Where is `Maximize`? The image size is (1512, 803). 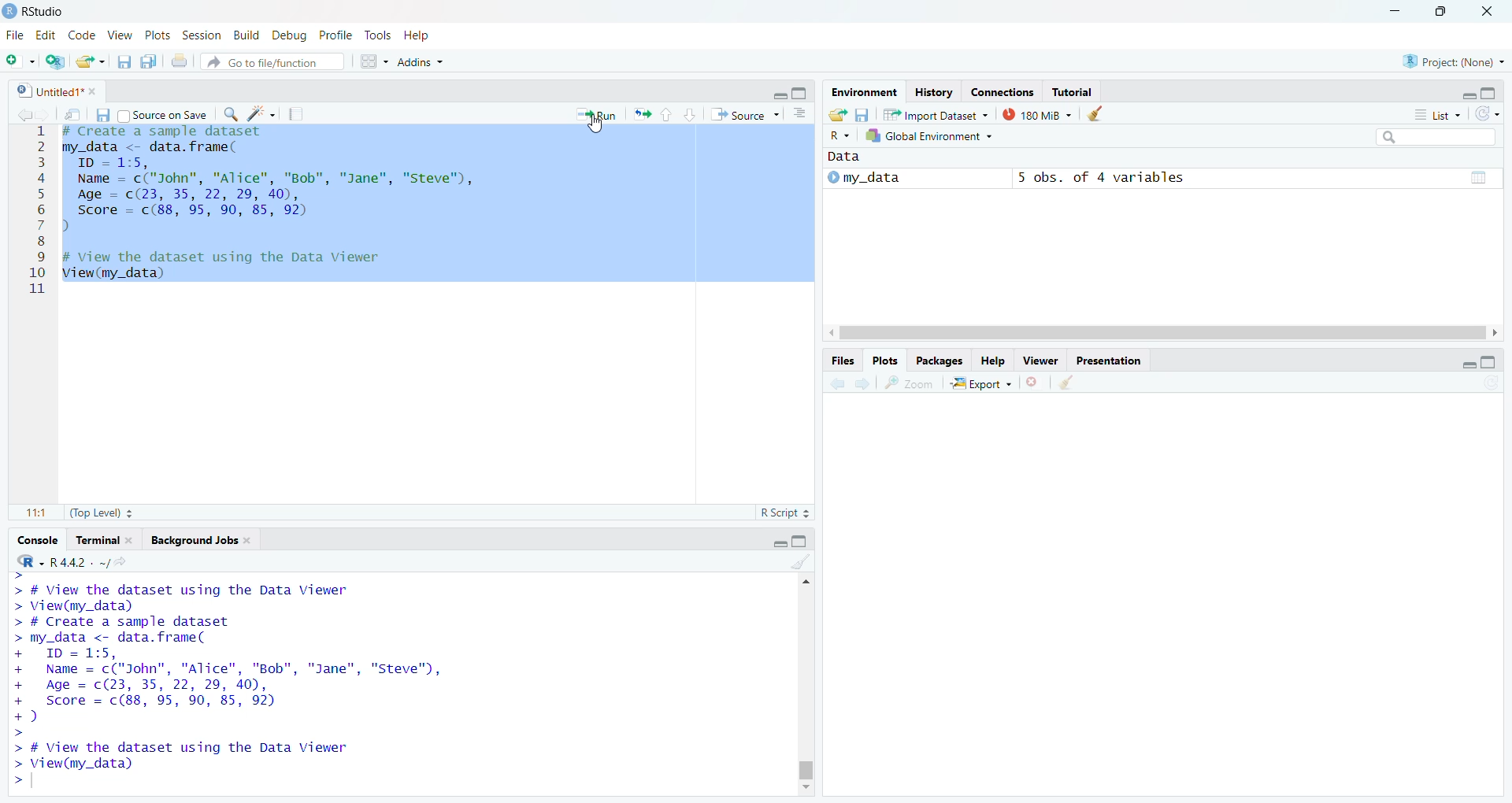 Maximize is located at coordinates (1488, 94).